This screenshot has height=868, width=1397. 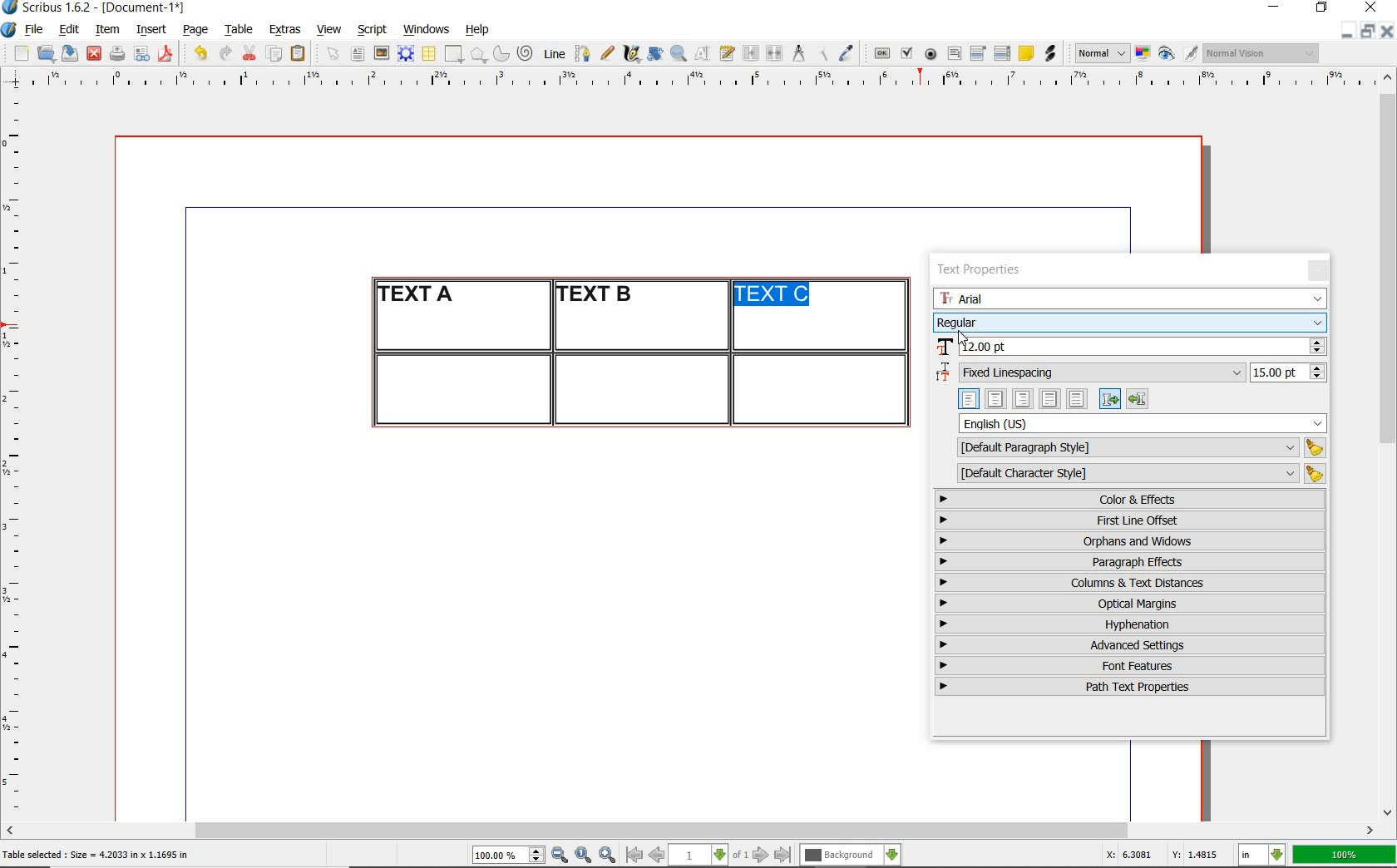 What do you see at coordinates (1133, 583) in the screenshot?
I see `columns & text distances` at bounding box center [1133, 583].